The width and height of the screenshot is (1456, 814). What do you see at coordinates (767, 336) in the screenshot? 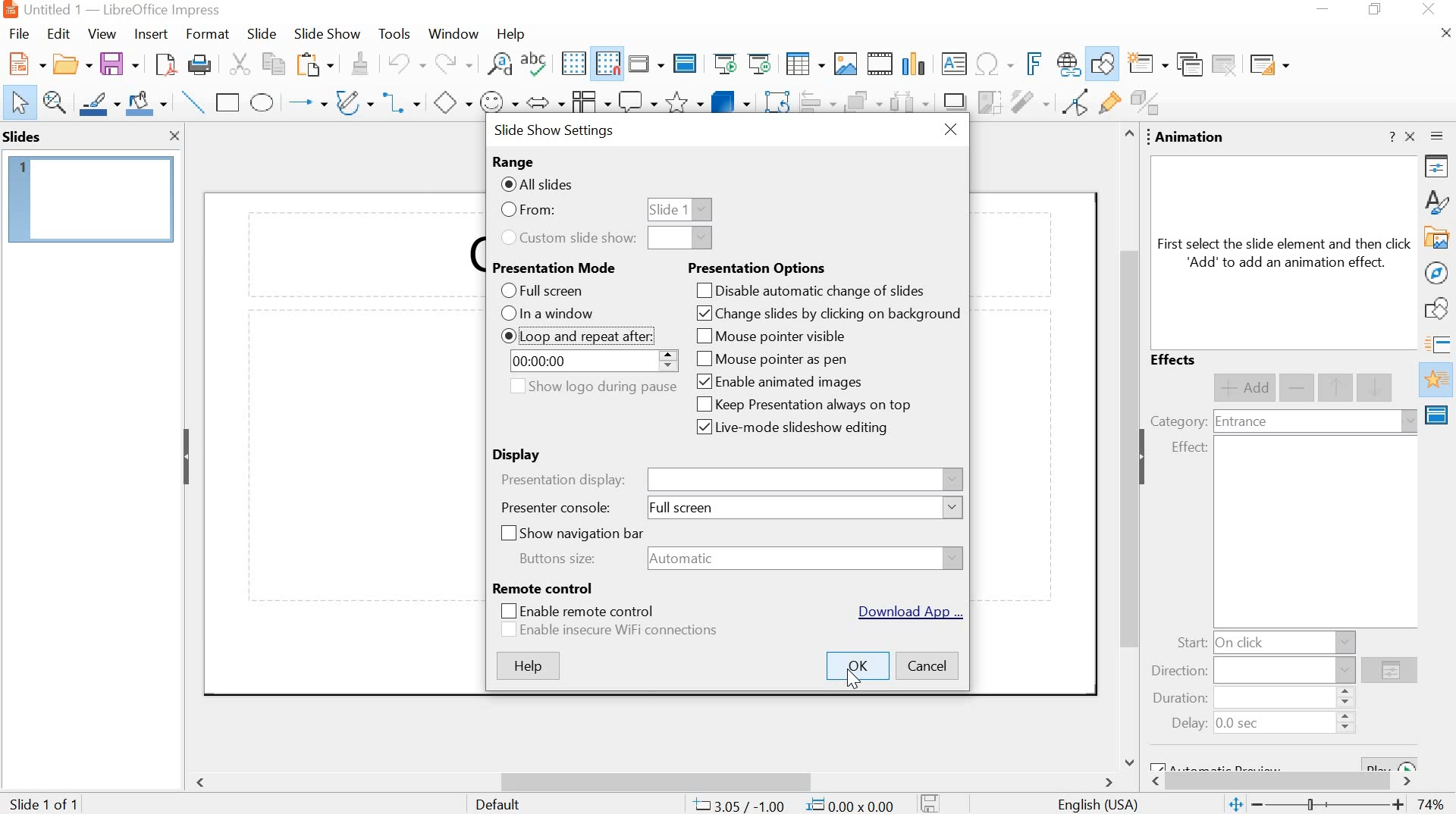
I see `mouse pointer visible` at bounding box center [767, 336].